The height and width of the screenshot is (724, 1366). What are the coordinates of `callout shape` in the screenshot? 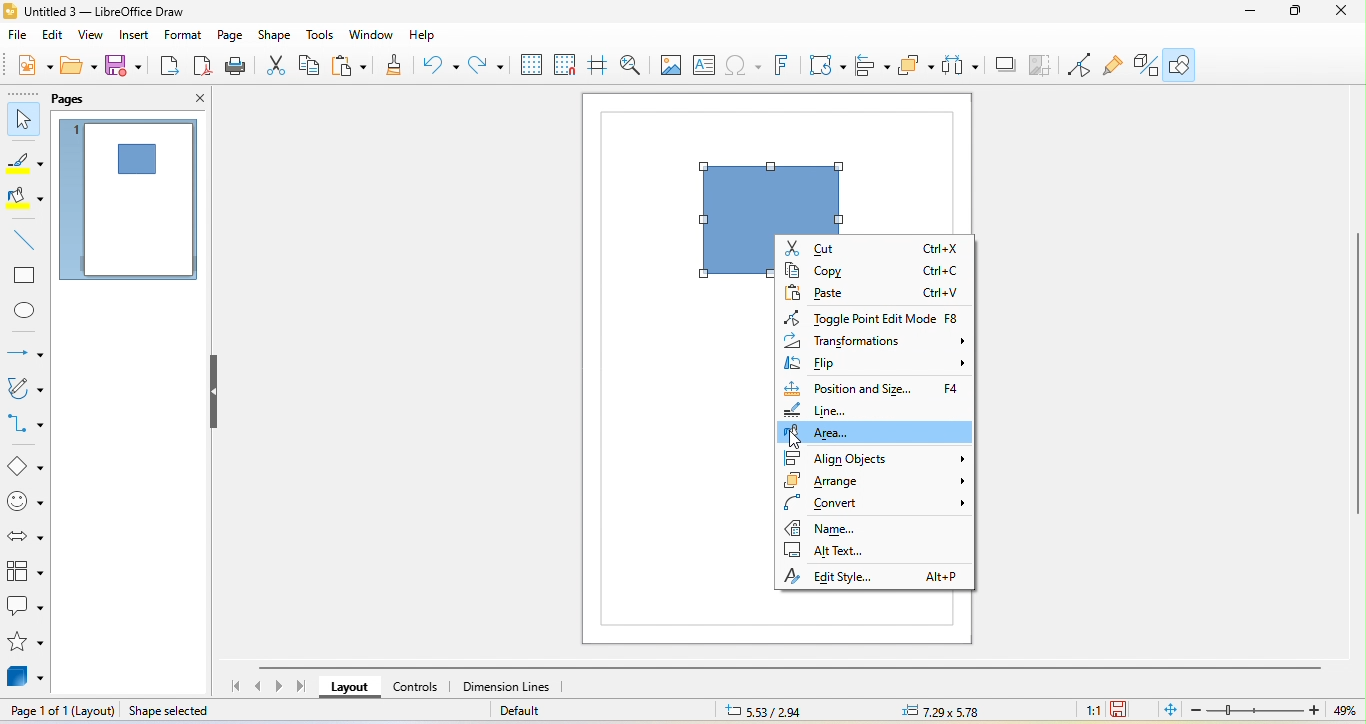 It's located at (25, 610).